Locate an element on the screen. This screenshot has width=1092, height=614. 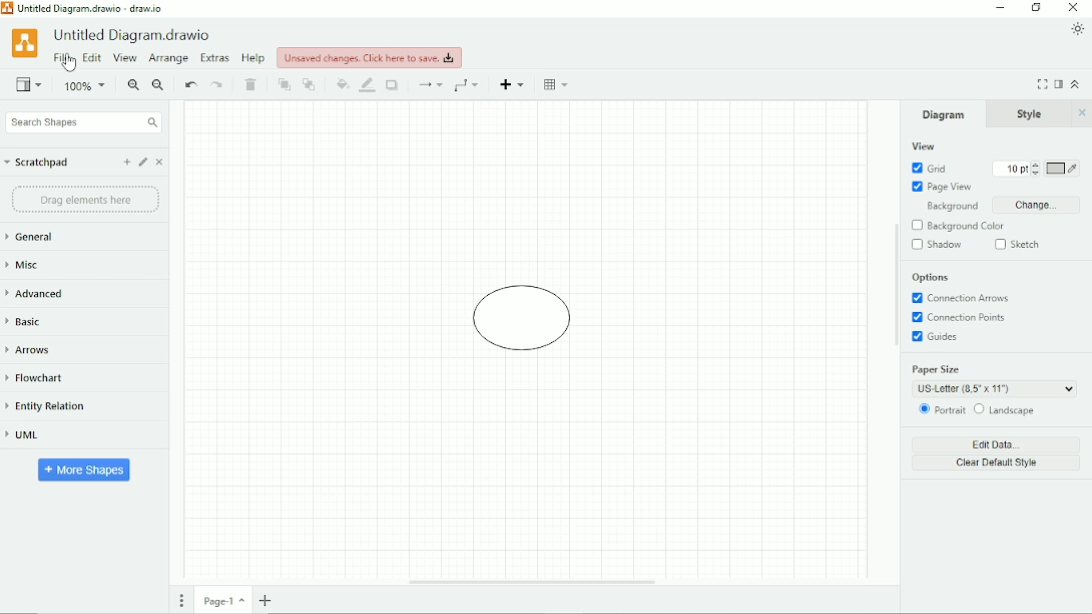
Restore down is located at coordinates (1036, 8).